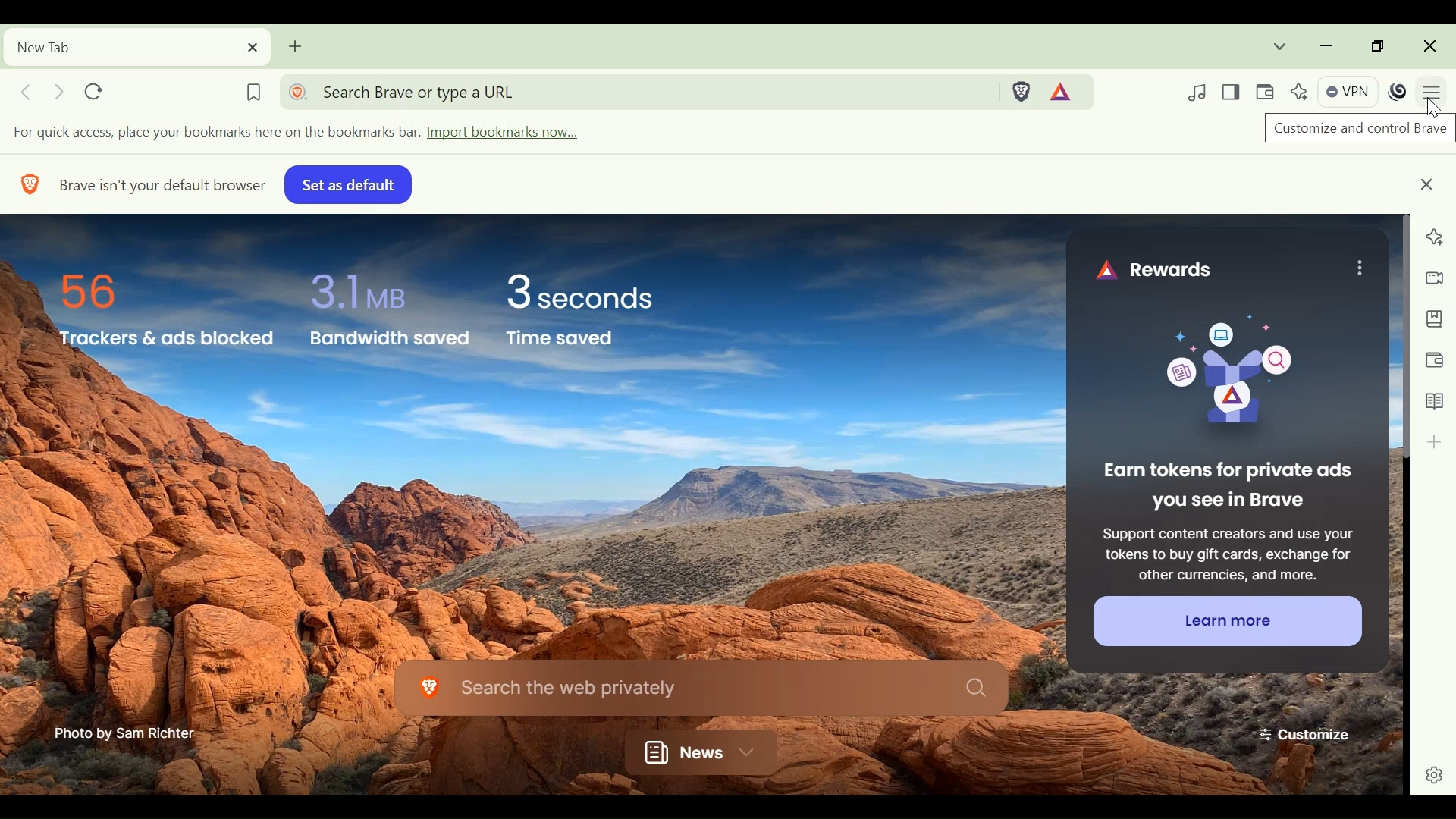 The height and width of the screenshot is (819, 1456). What do you see at coordinates (1357, 126) in the screenshot?
I see `Customize and control Brave` at bounding box center [1357, 126].